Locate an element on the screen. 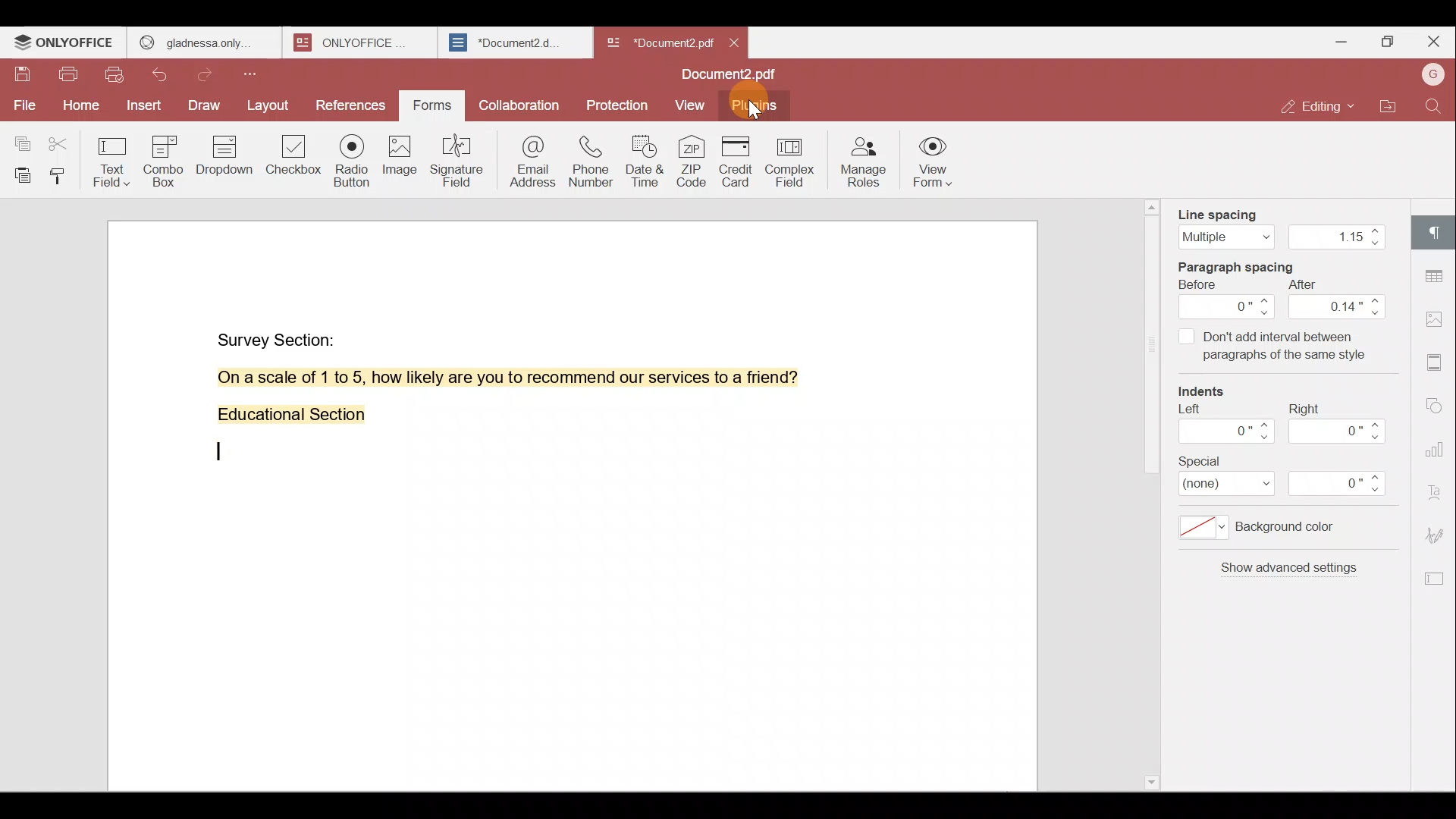  Collaboration is located at coordinates (517, 104).